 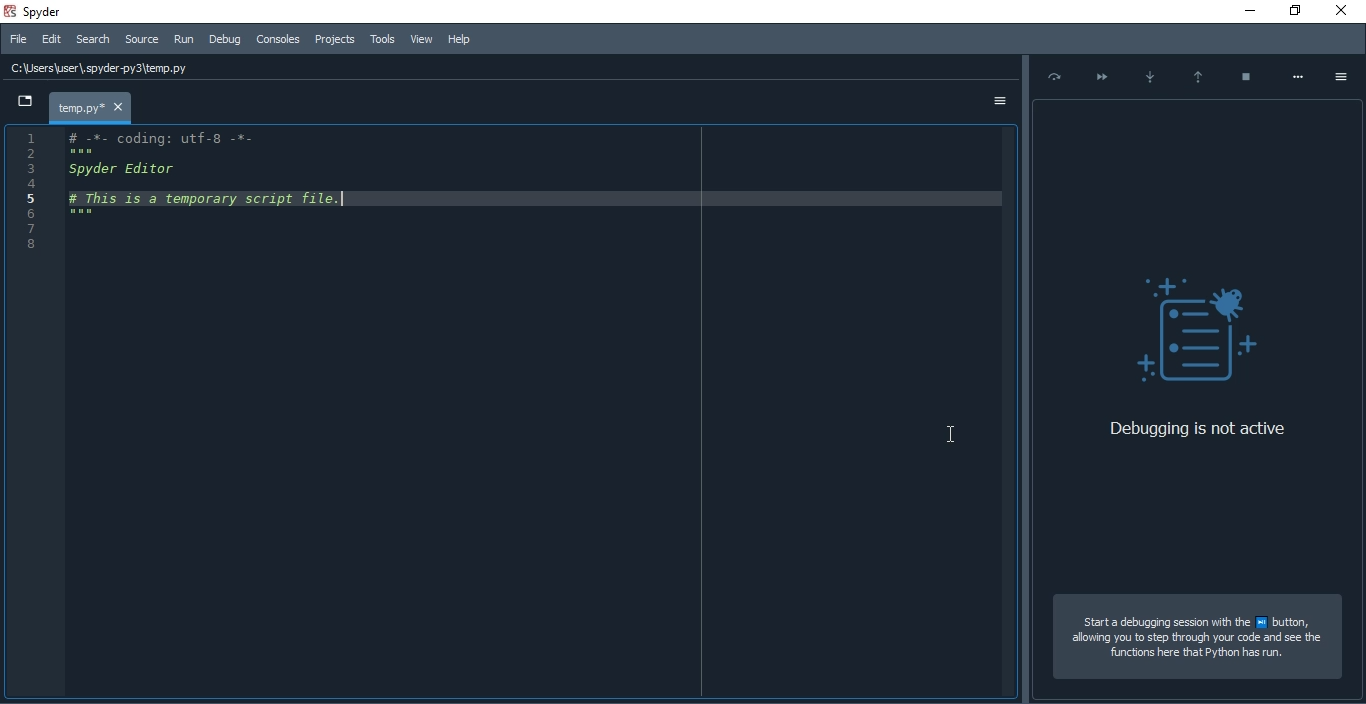 I want to click on Run, so click(x=184, y=40).